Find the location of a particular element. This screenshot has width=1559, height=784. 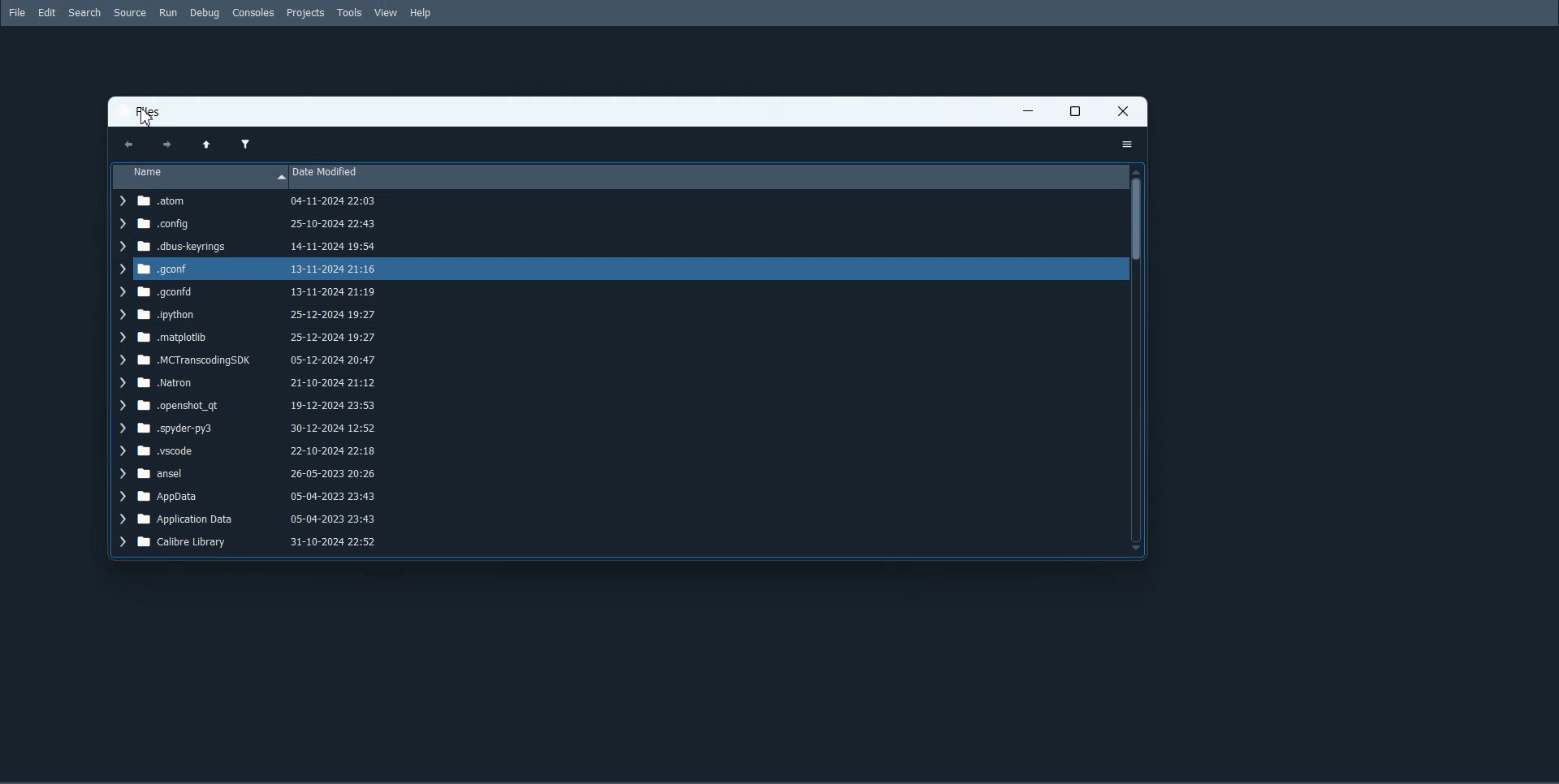

Parent is located at coordinates (205, 144).